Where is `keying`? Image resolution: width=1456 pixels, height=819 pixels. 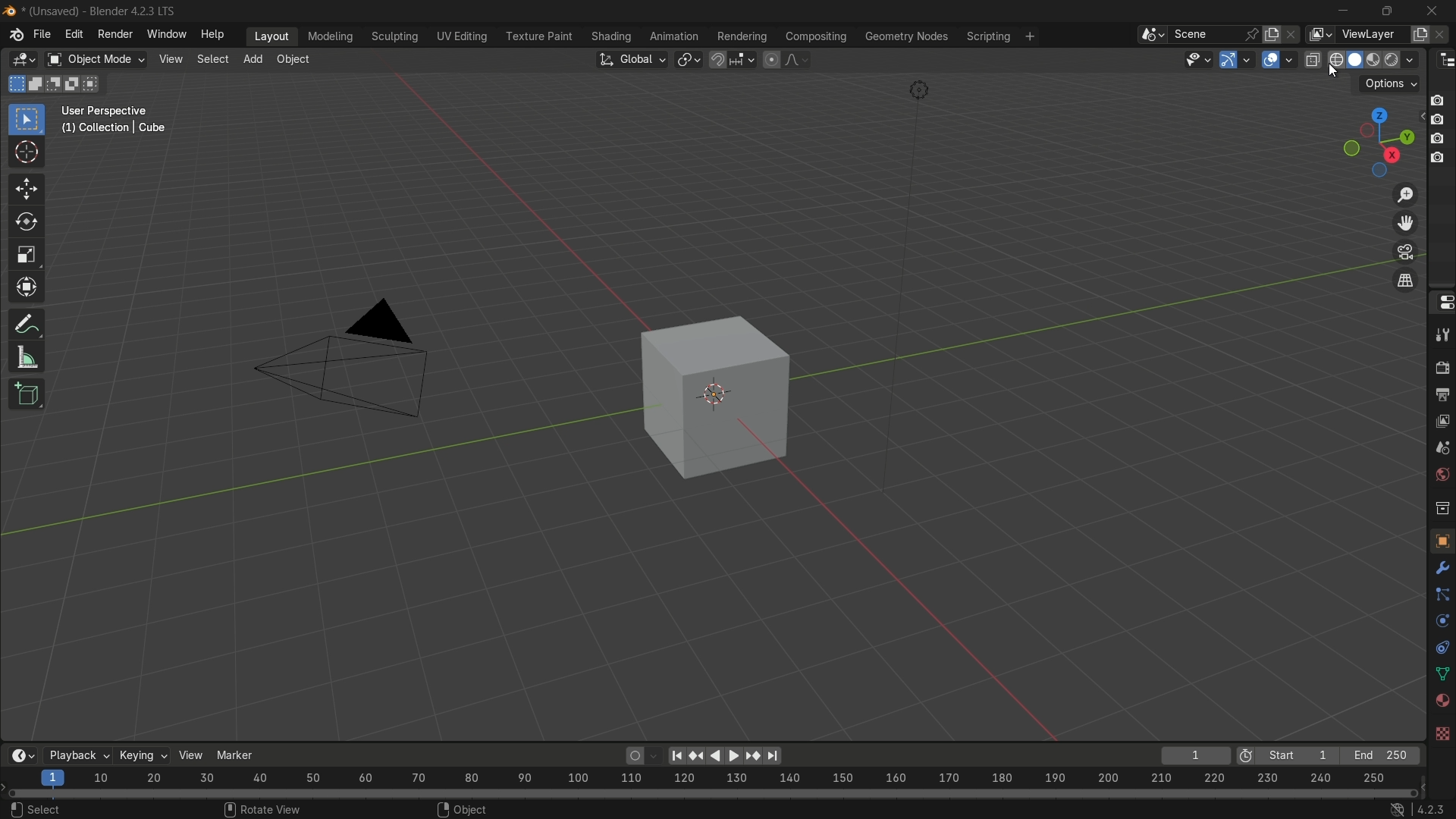
keying is located at coordinates (140, 755).